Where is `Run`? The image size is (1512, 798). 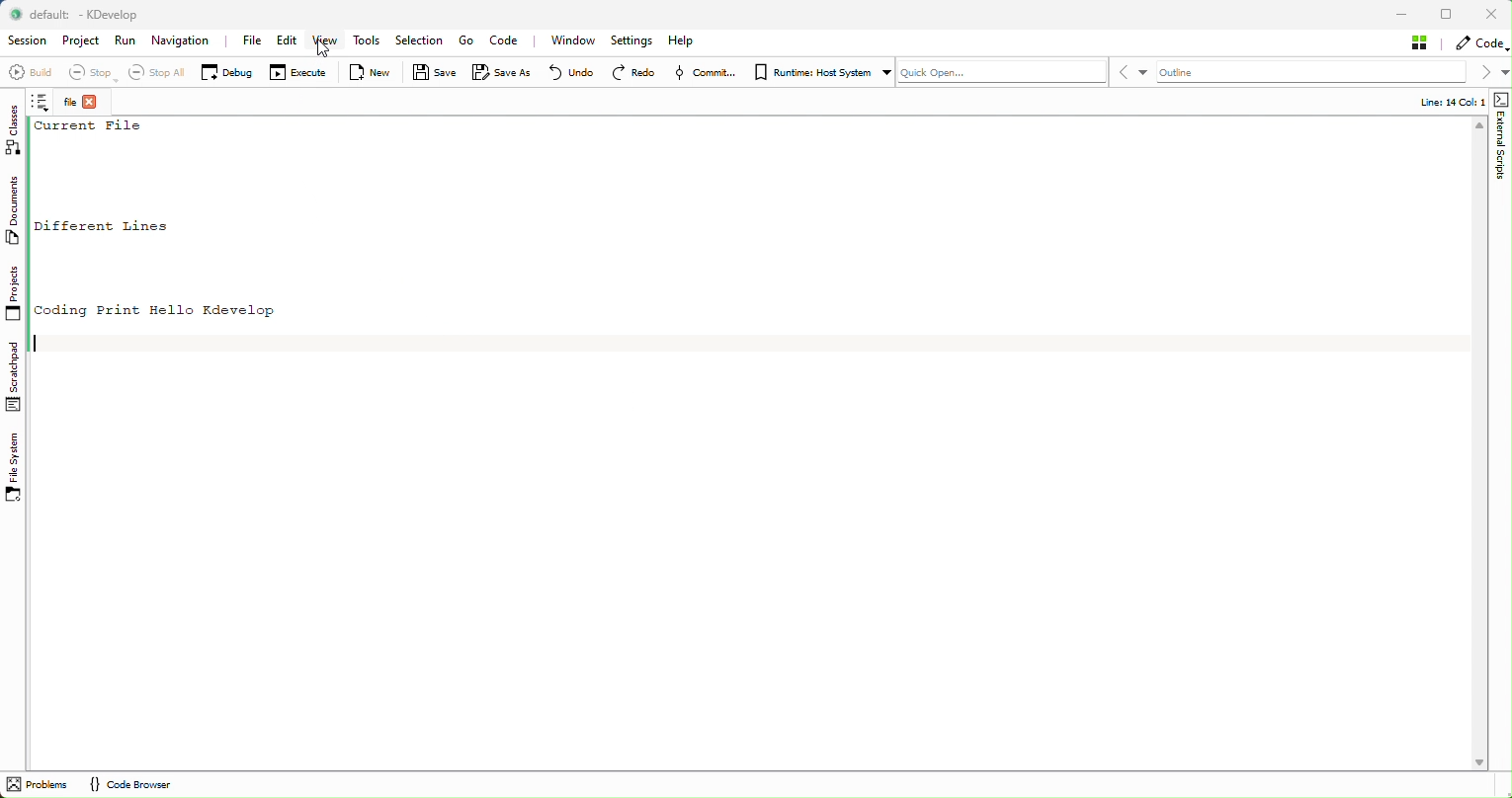 Run is located at coordinates (126, 41).